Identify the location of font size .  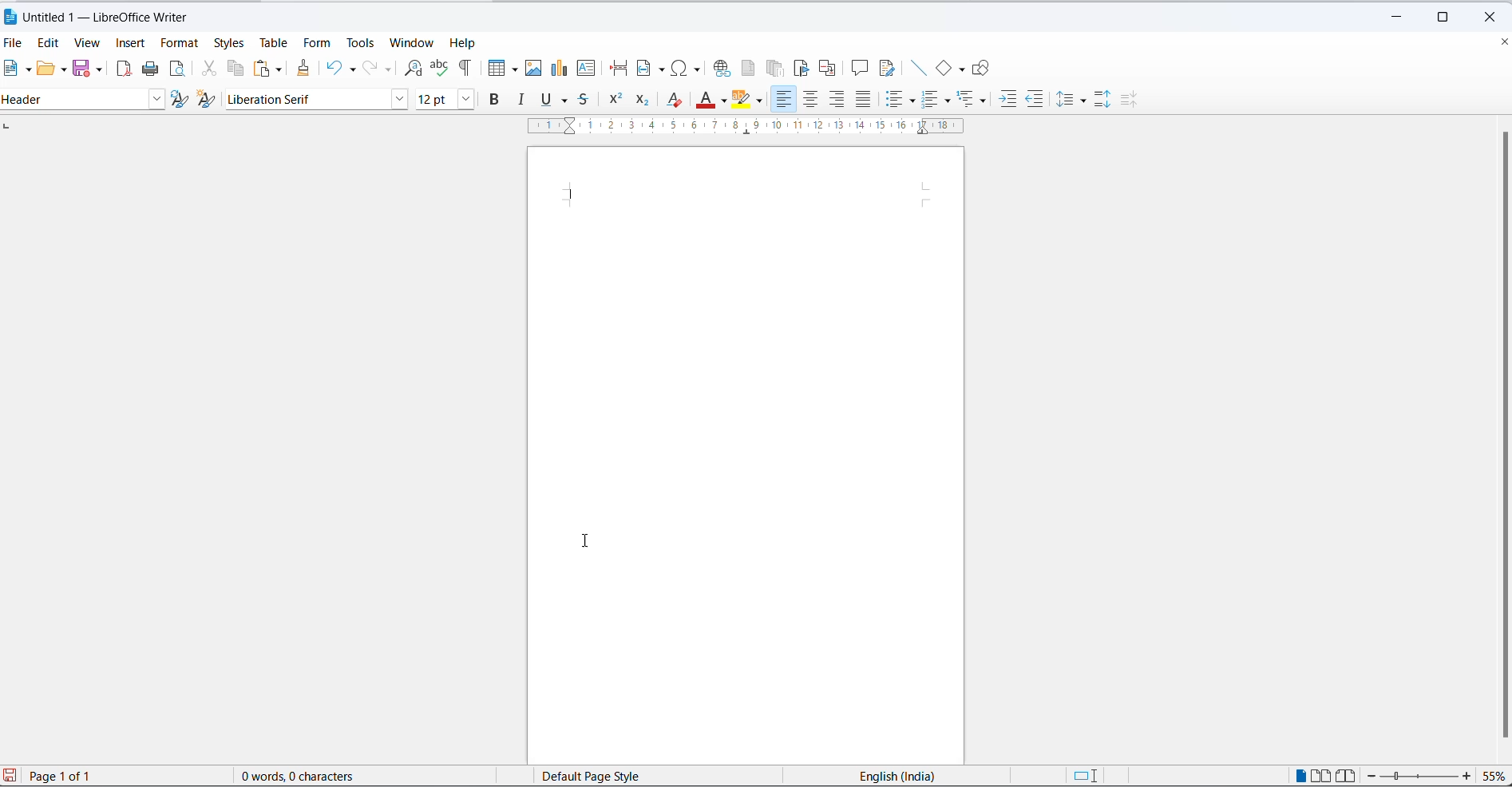
(433, 100).